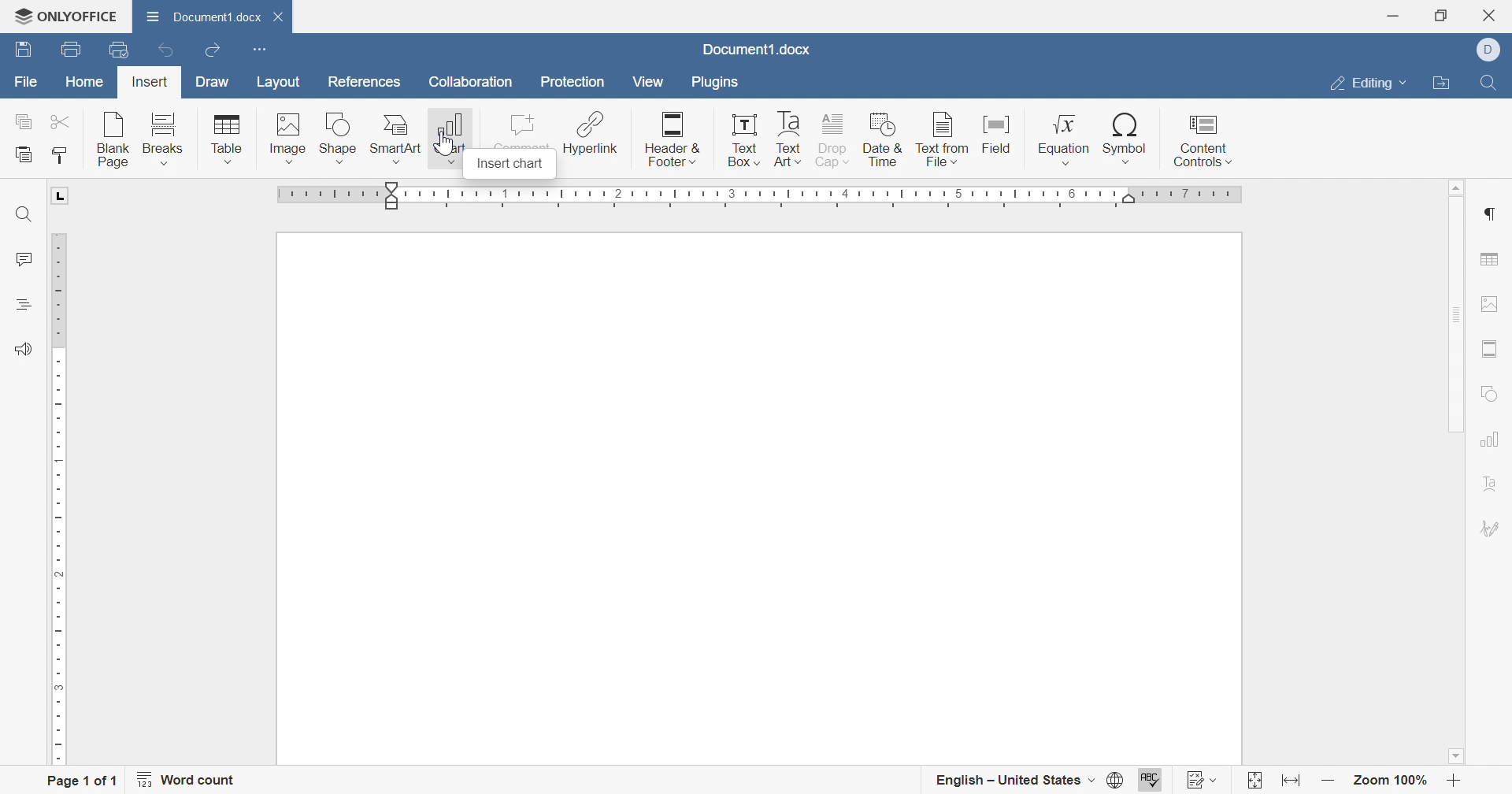 The width and height of the screenshot is (1512, 794). What do you see at coordinates (575, 83) in the screenshot?
I see `Protection` at bounding box center [575, 83].